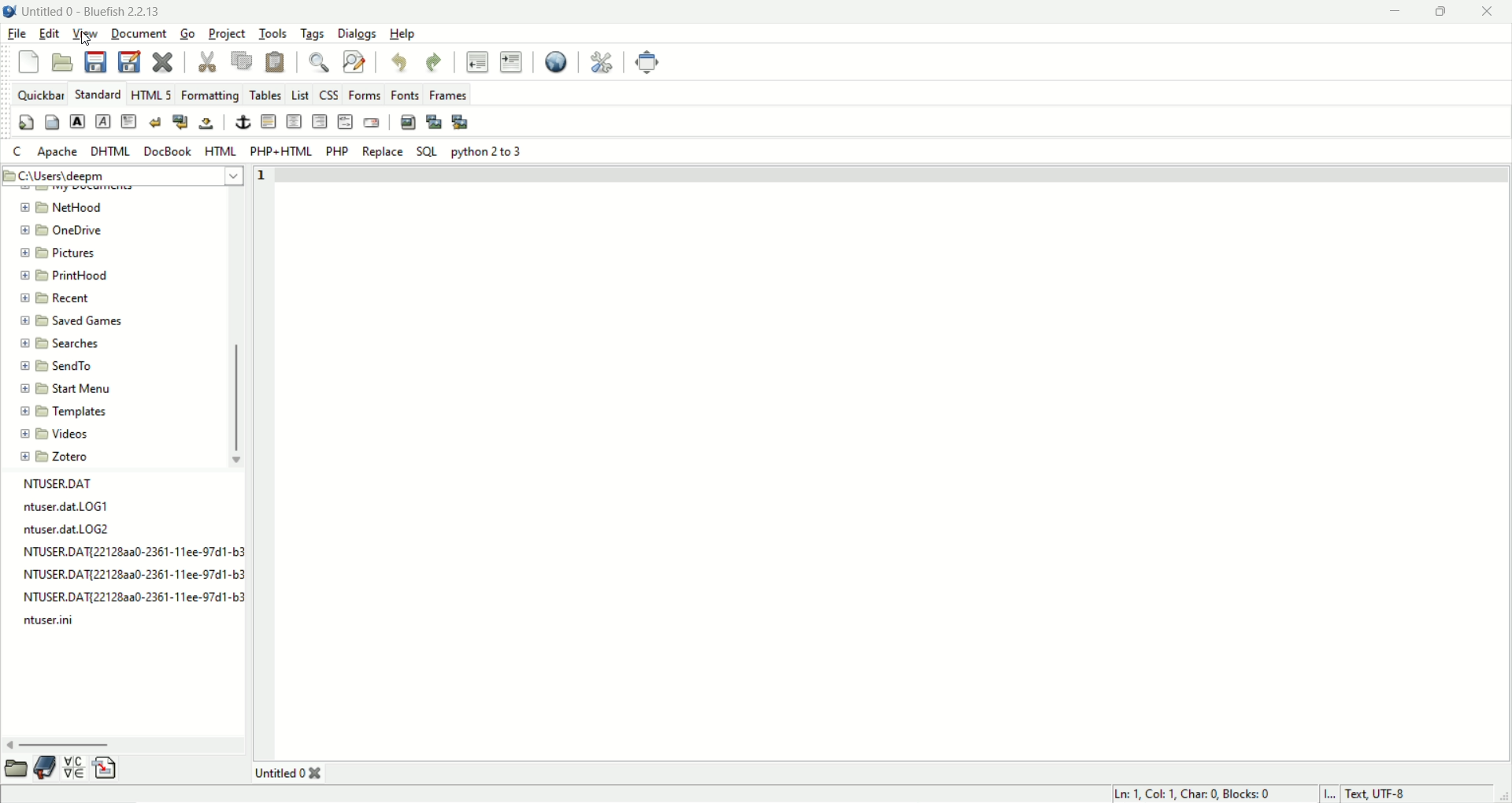 The width and height of the screenshot is (1512, 803). What do you see at coordinates (646, 65) in the screenshot?
I see `fullscreen` at bounding box center [646, 65].